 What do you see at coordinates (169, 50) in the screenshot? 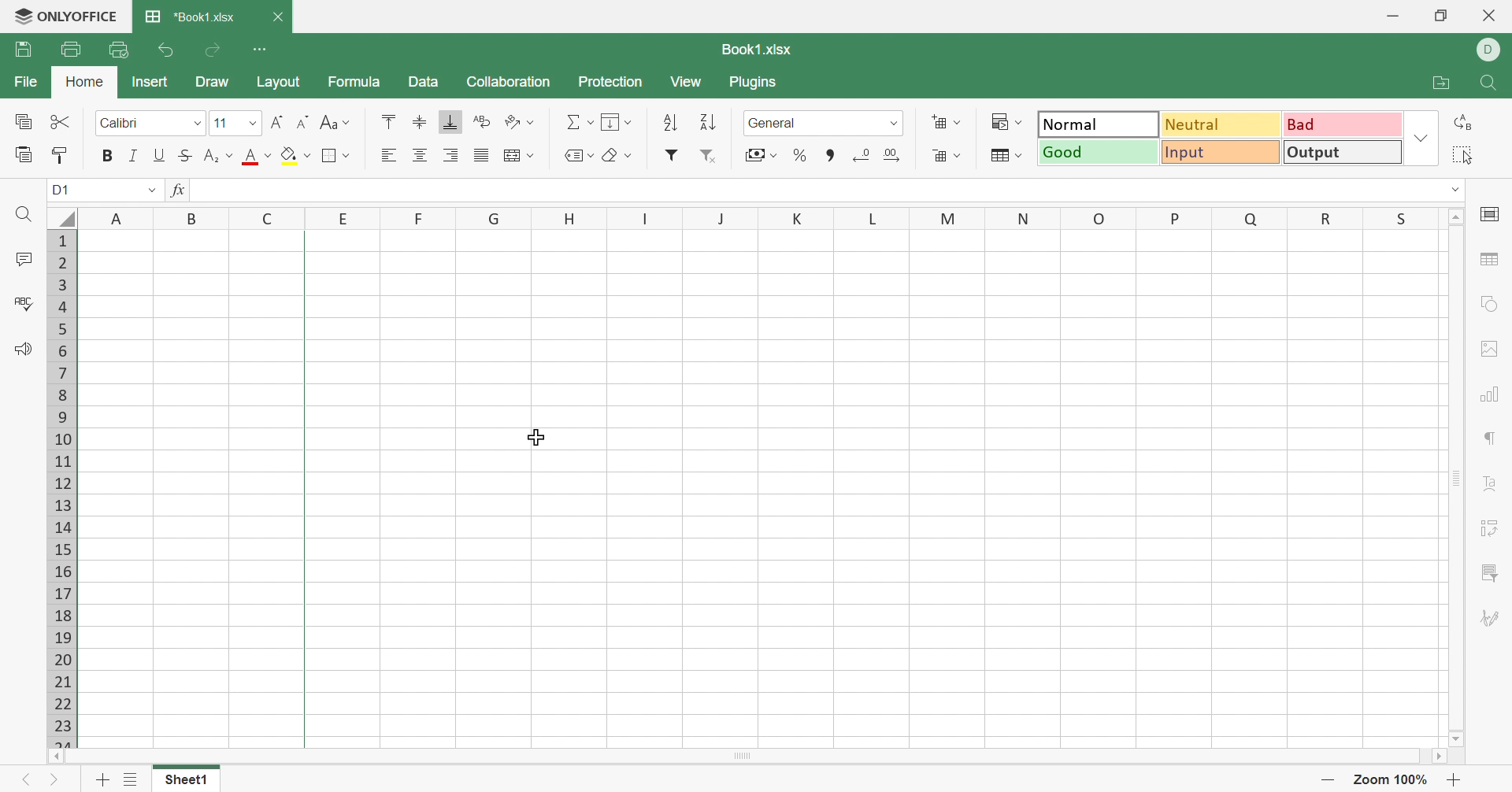
I see `Undo` at bounding box center [169, 50].